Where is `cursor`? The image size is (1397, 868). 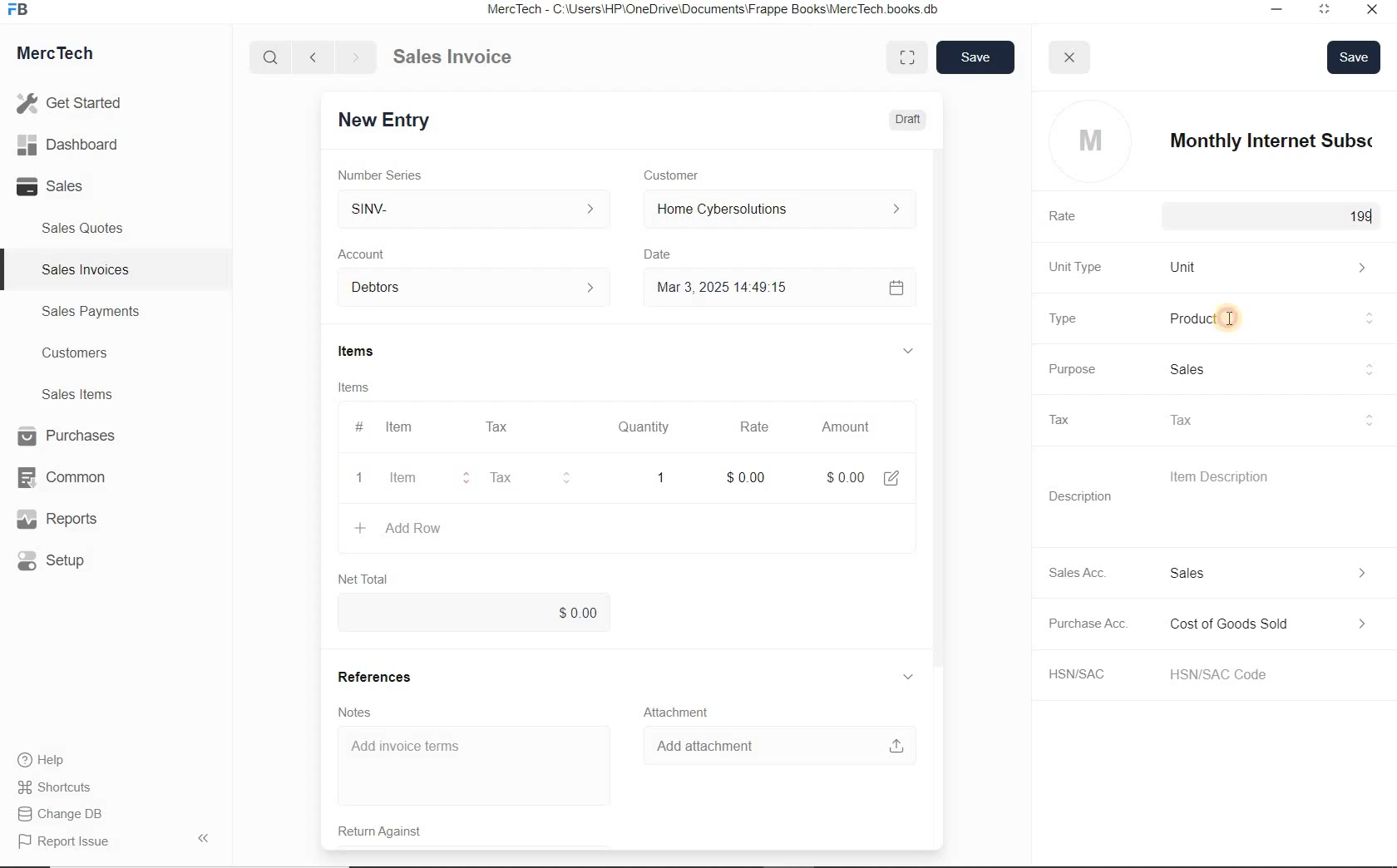
cursor is located at coordinates (1230, 316).